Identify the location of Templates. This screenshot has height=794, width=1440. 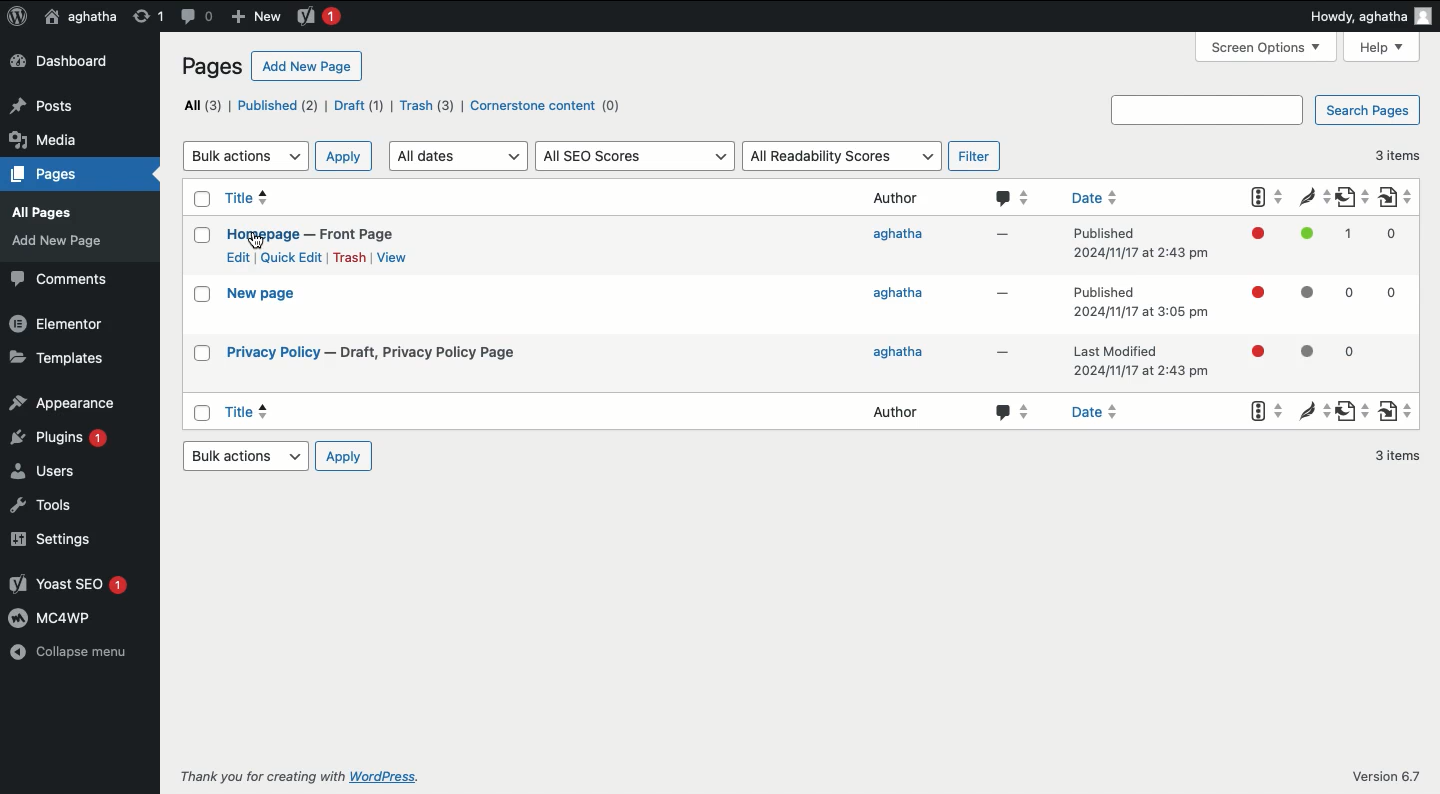
(55, 360).